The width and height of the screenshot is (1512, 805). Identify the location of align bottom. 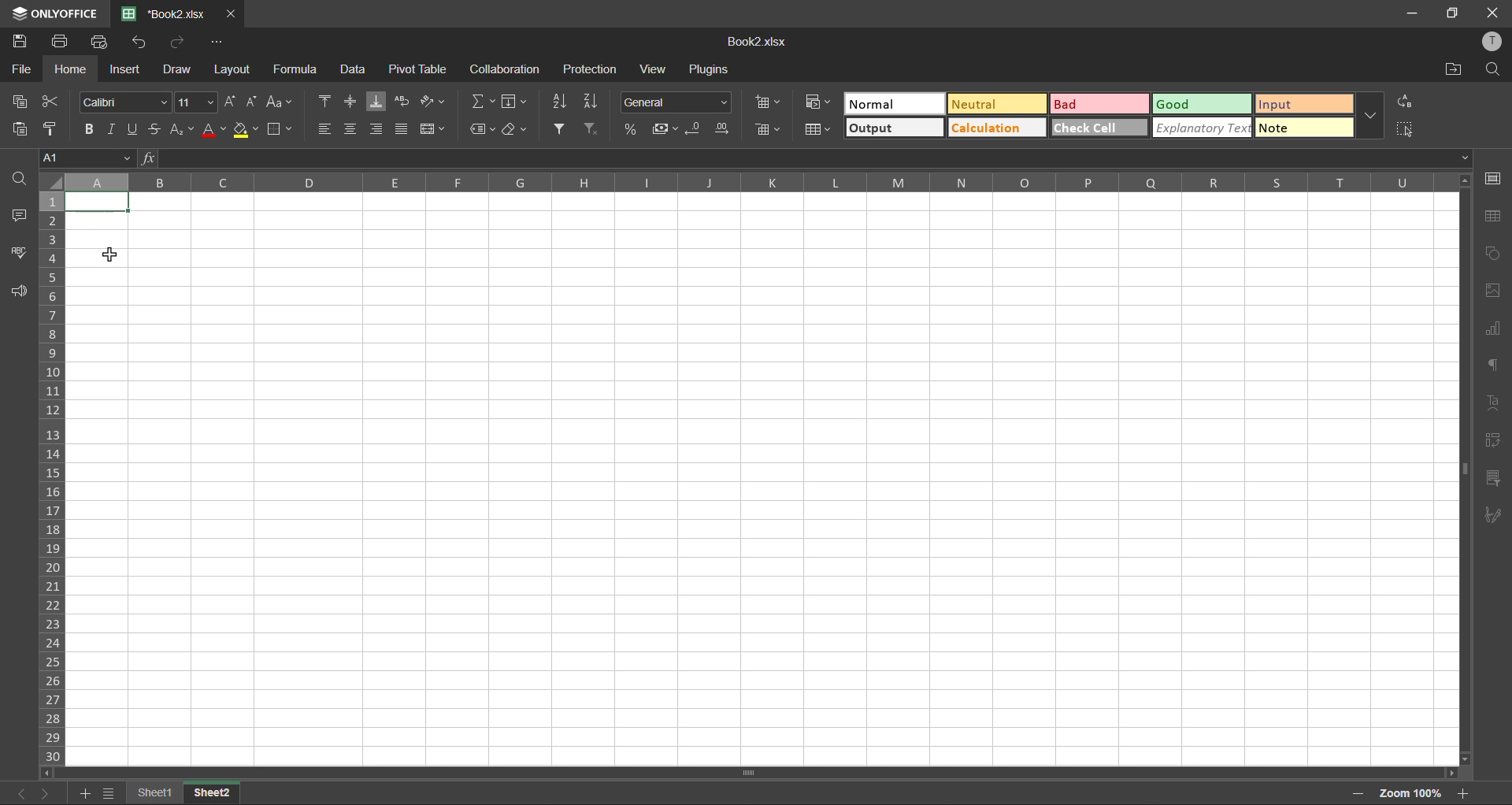
(380, 102).